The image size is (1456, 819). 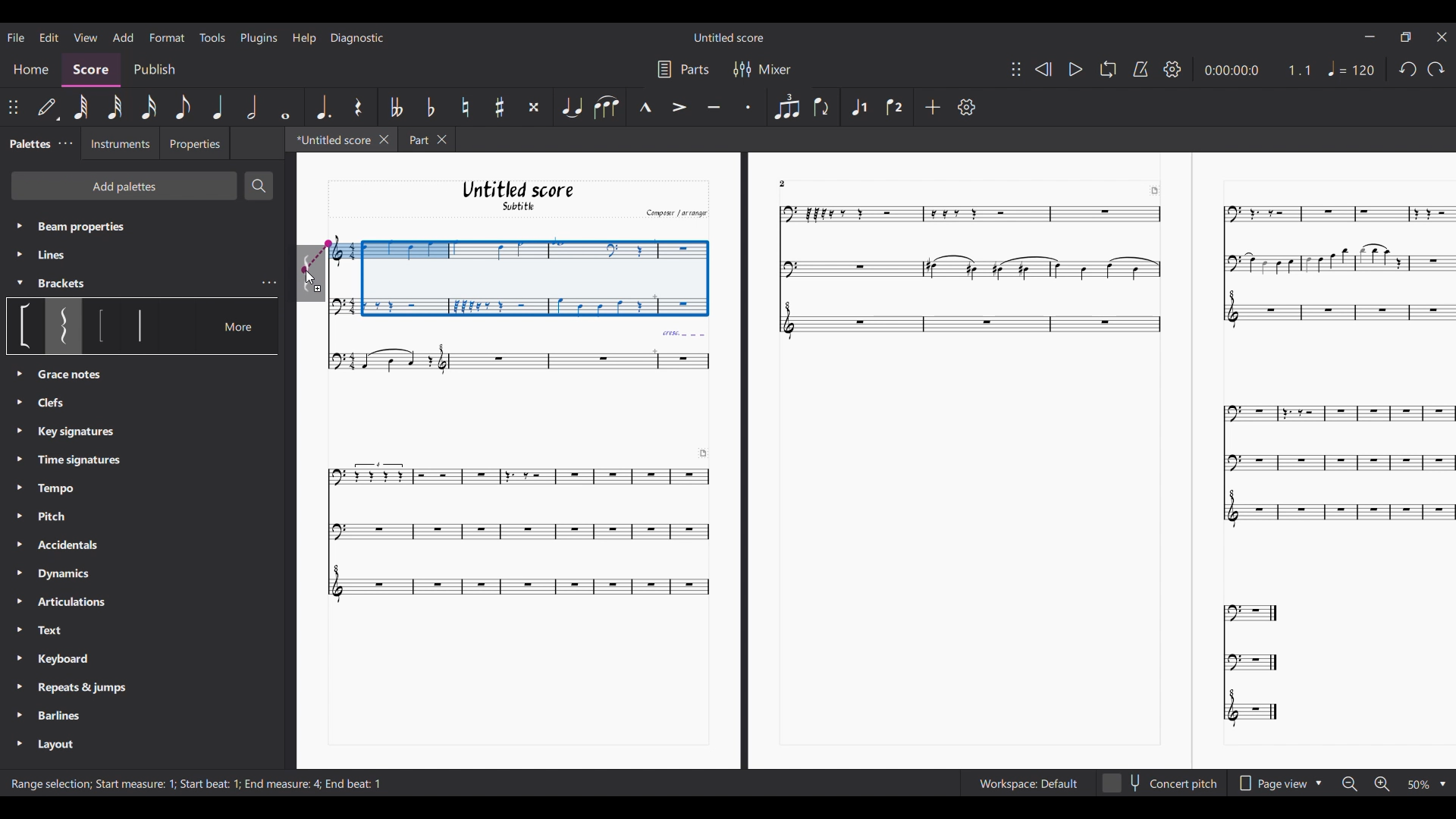 I want to click on Add, so click(x=123, y=38).